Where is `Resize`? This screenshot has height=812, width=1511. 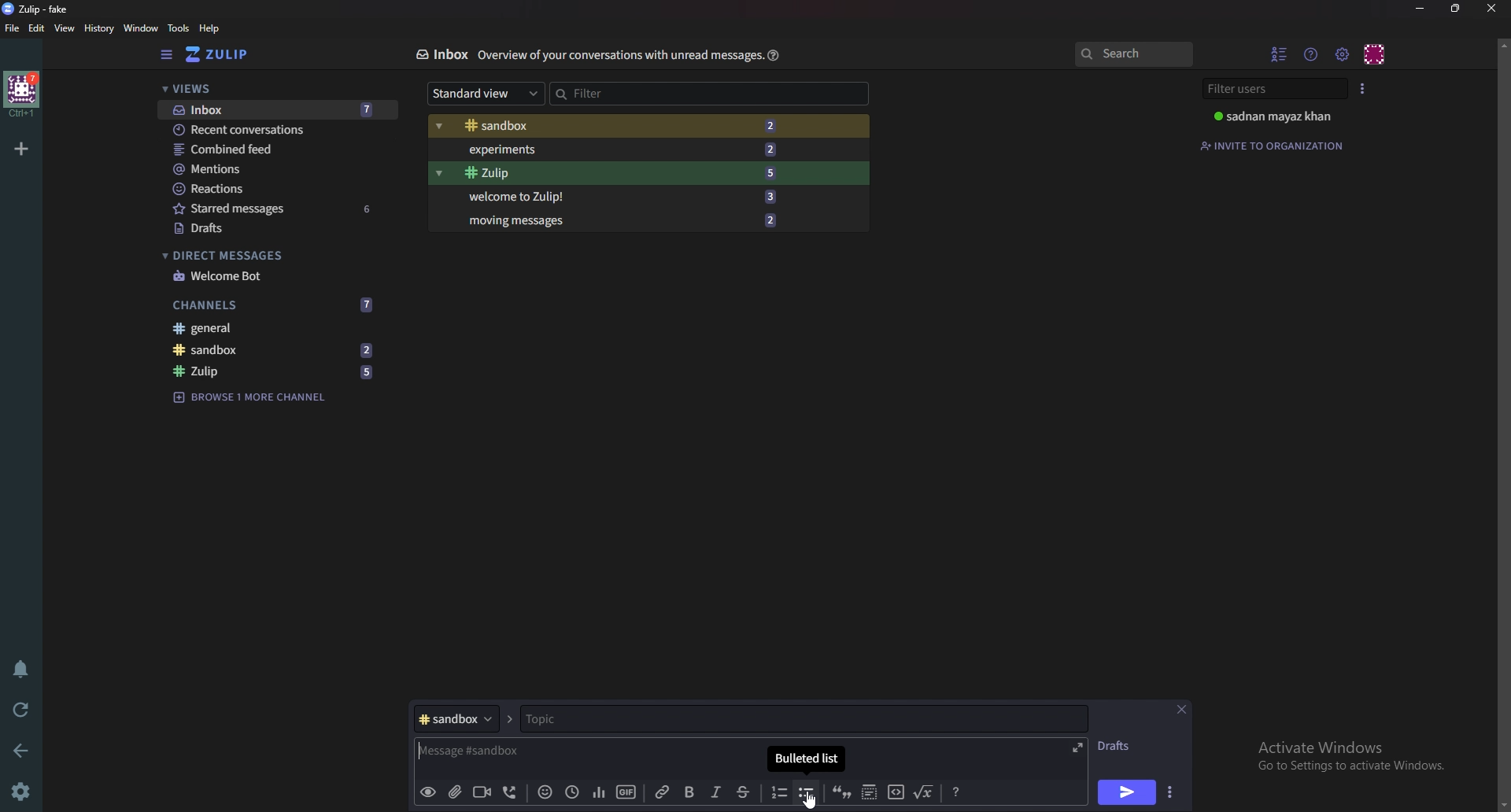 Resize is located at coordinates (1458, 8).